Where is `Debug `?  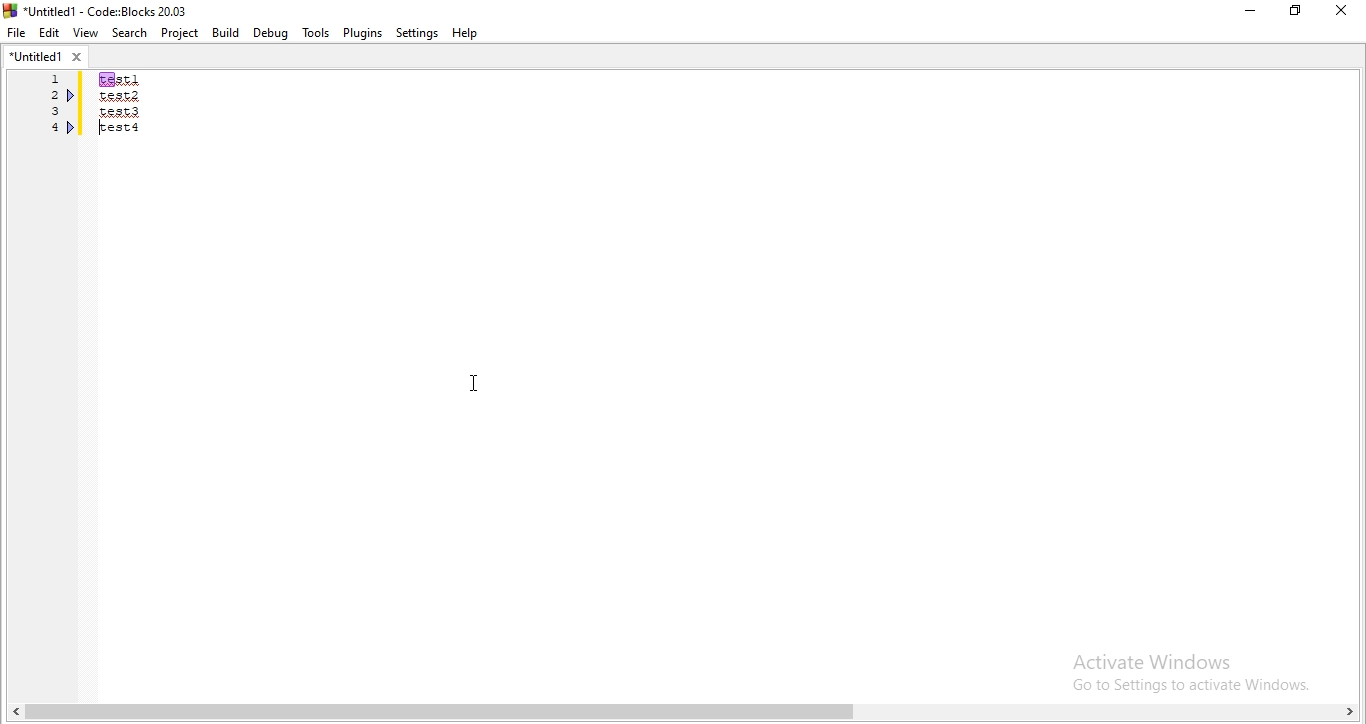 Debug  is located at coordinates (269, 31).